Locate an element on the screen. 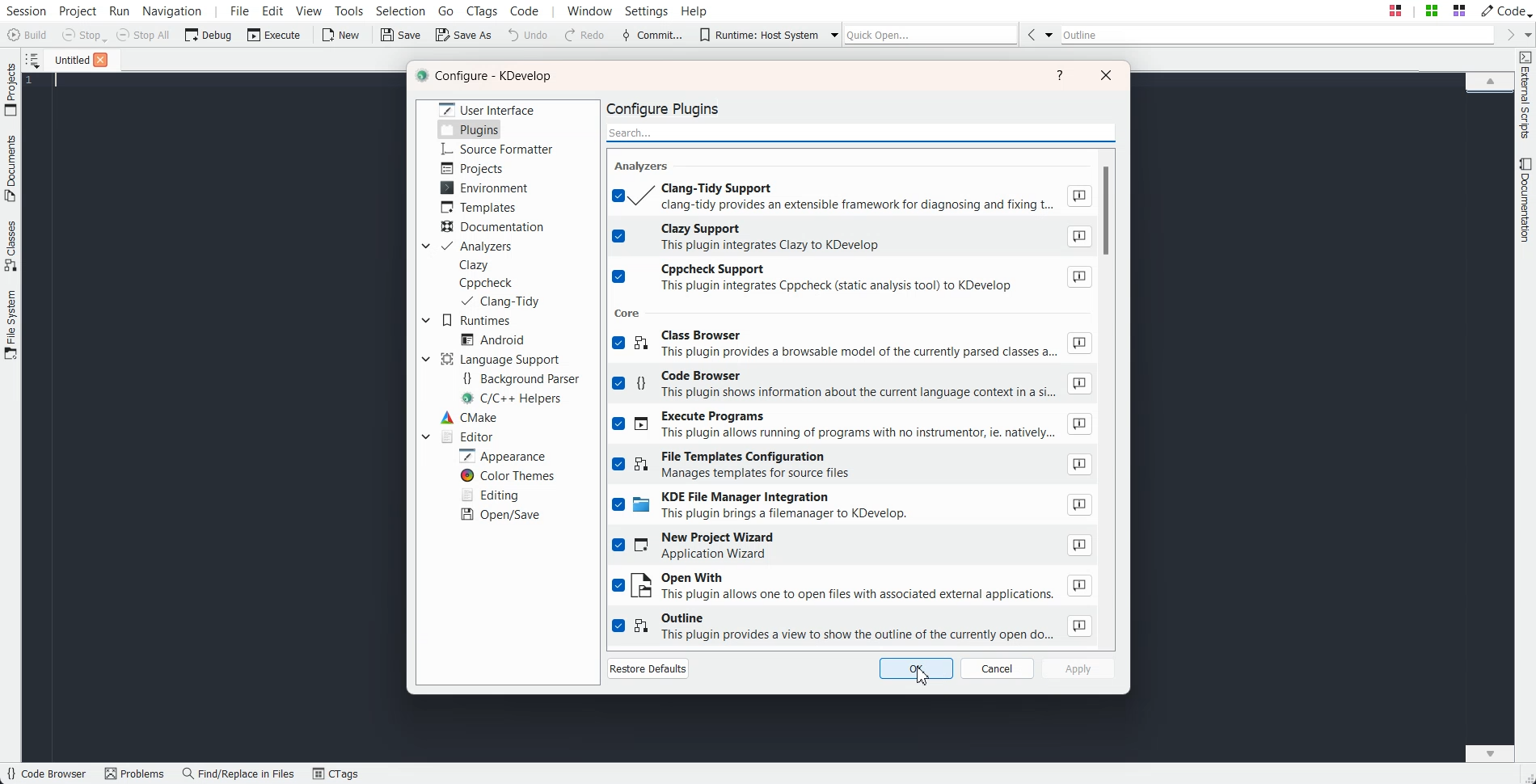 The image size is (1536, 784). Enable Open With is located at coordinates (852, 587).